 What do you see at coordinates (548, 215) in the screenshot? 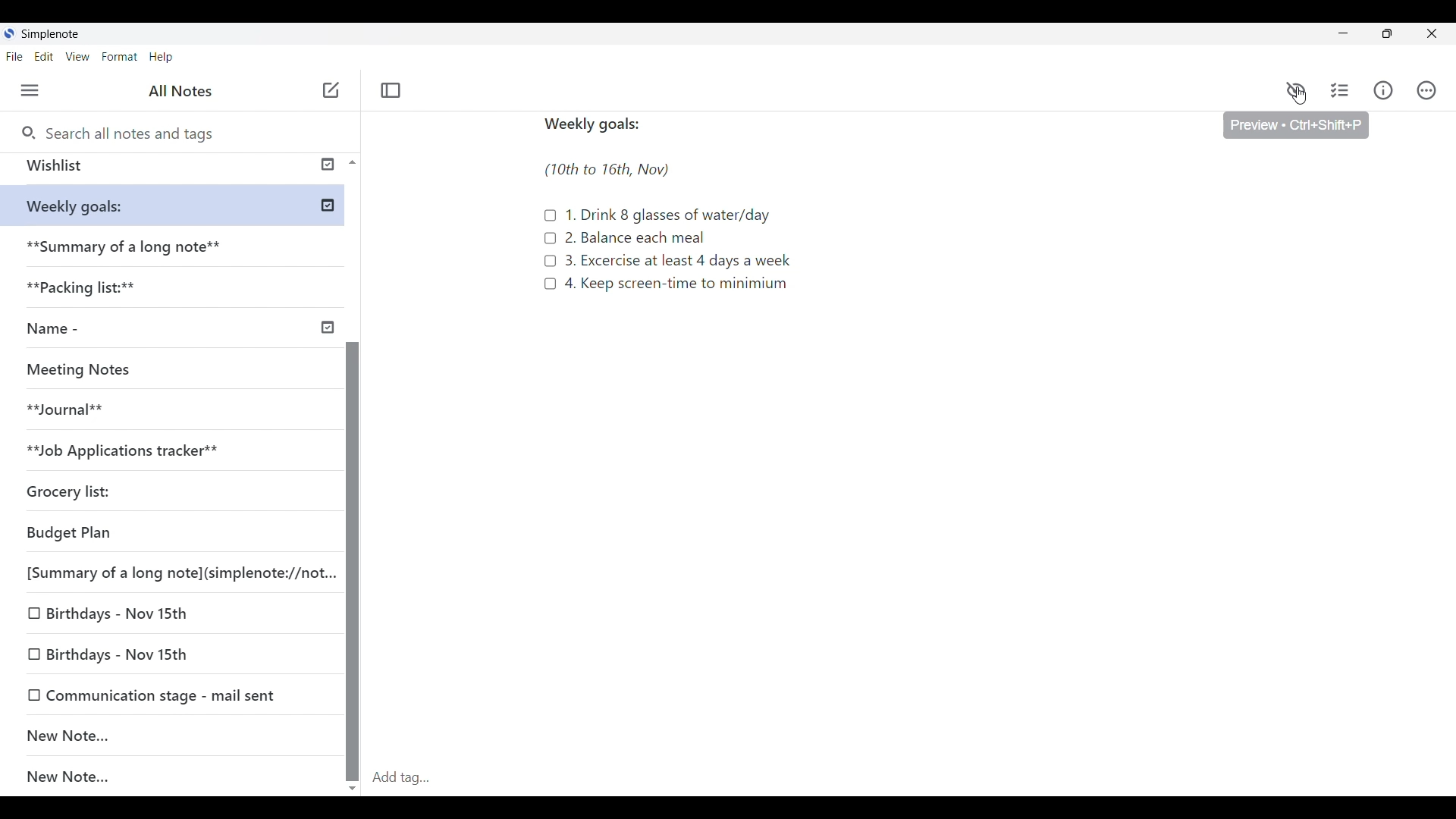
I see `Checklist icon` at bounding box center [548, 215].